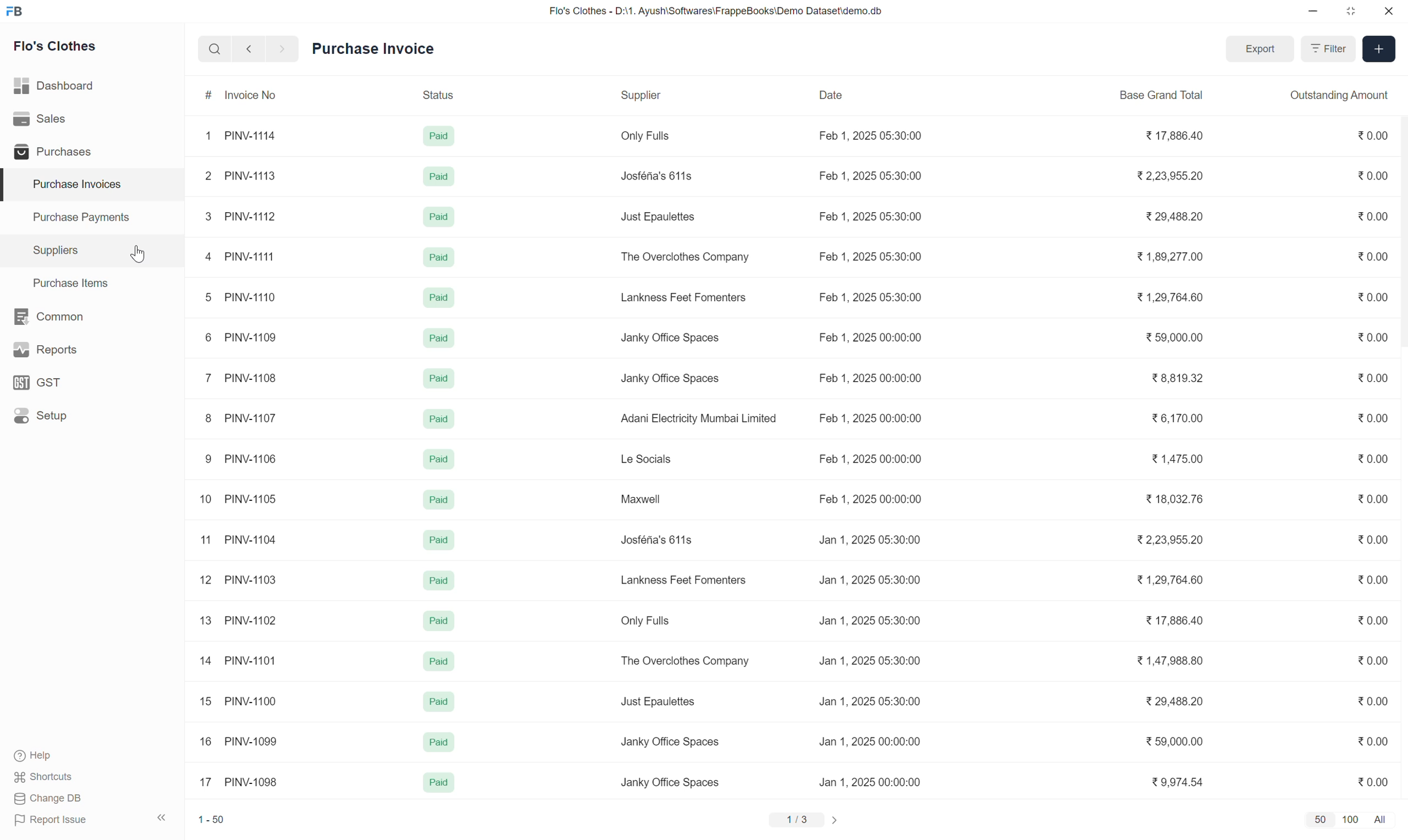 The width and height of the screenshot is (1408, 840). Describe the element at coordinates (1183, 419) in the screenshot. I see `6,170.00` at that location.